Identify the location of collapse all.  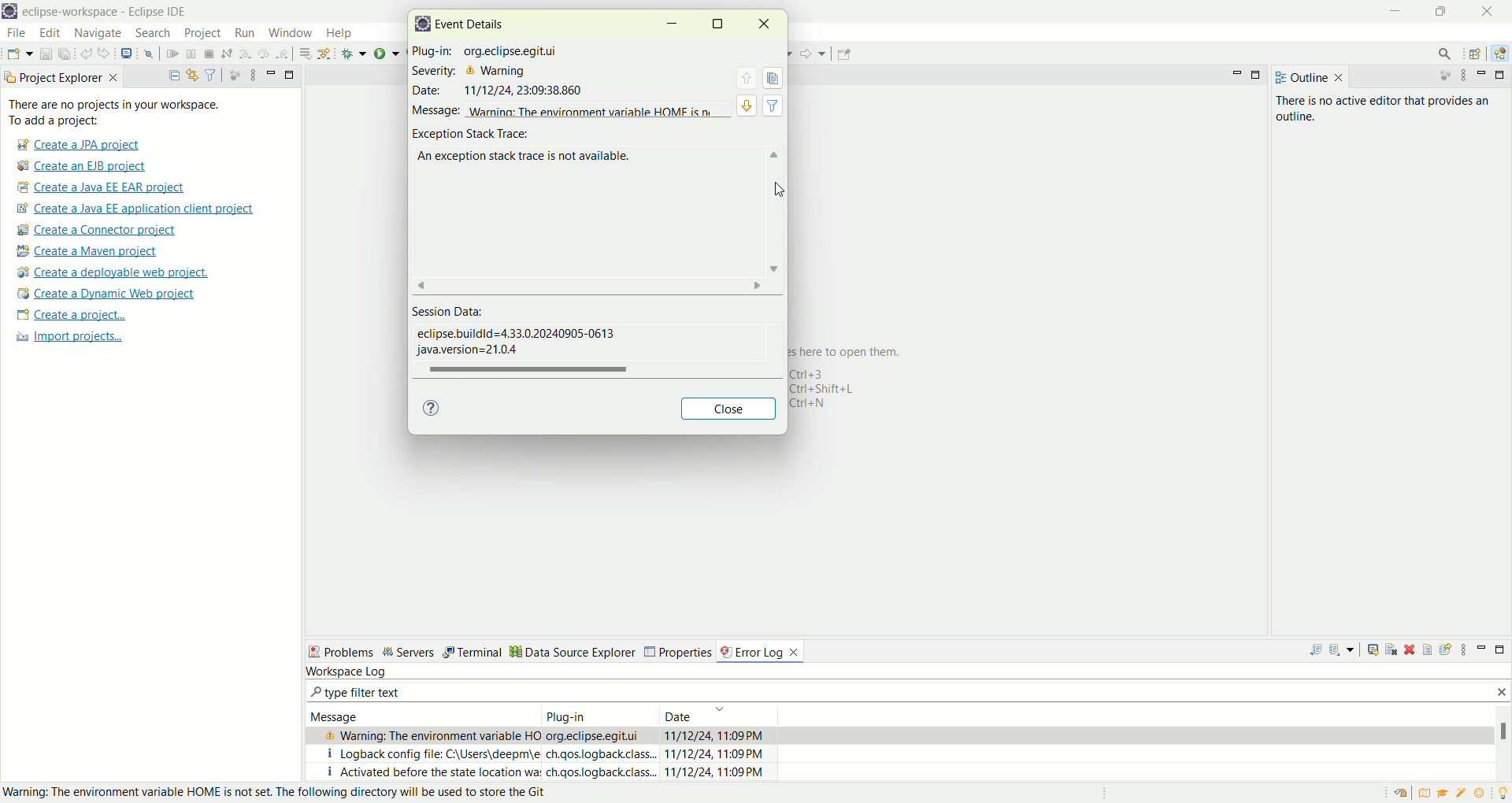
(172, 73).